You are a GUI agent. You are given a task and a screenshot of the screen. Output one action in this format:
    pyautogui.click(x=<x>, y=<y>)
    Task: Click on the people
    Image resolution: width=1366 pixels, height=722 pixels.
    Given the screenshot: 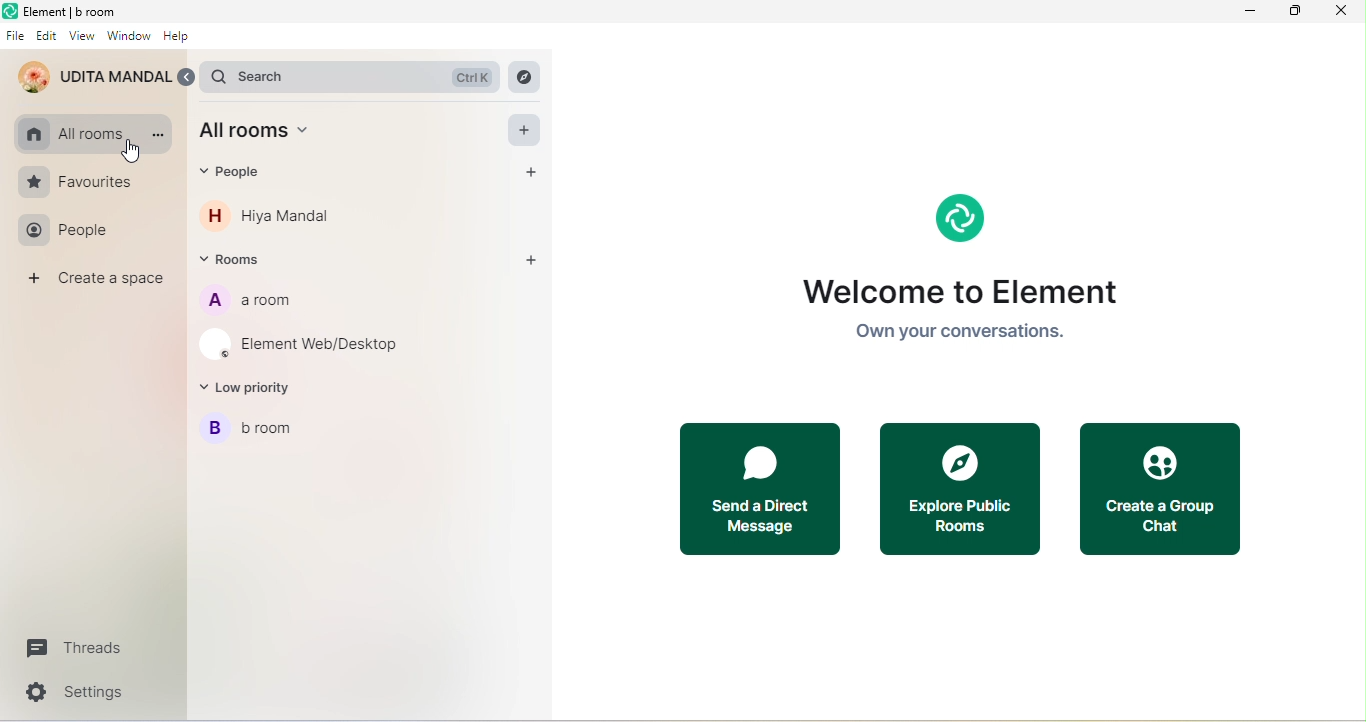 What is the action you would take?
    pyautogui.click(x=239, y=174)
    